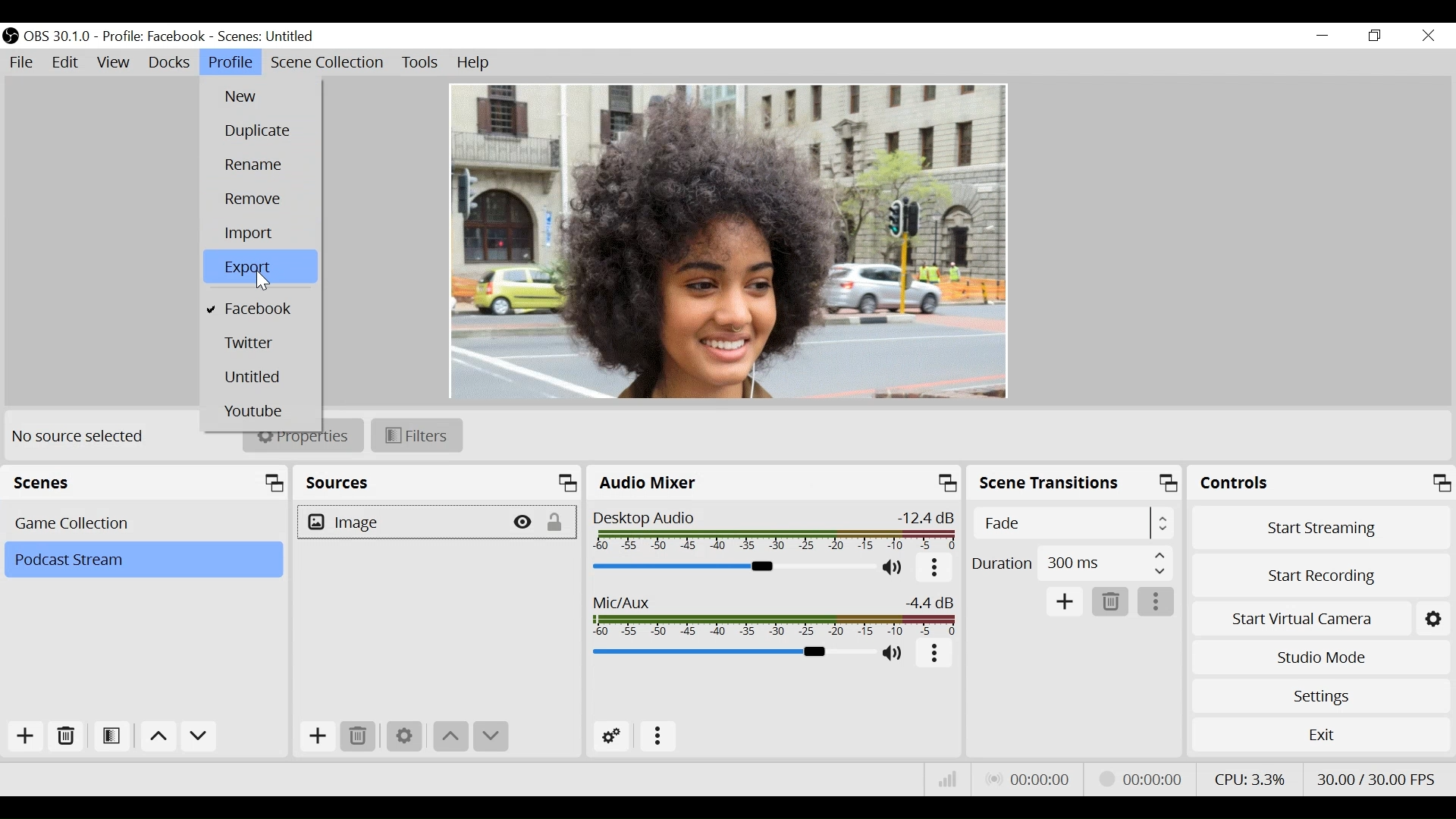 The image size is (1456, 819). What do you see at coordinates (774, 482) in the screenshot?
I see `Audio Mixer` at bounding box center [774, 482].